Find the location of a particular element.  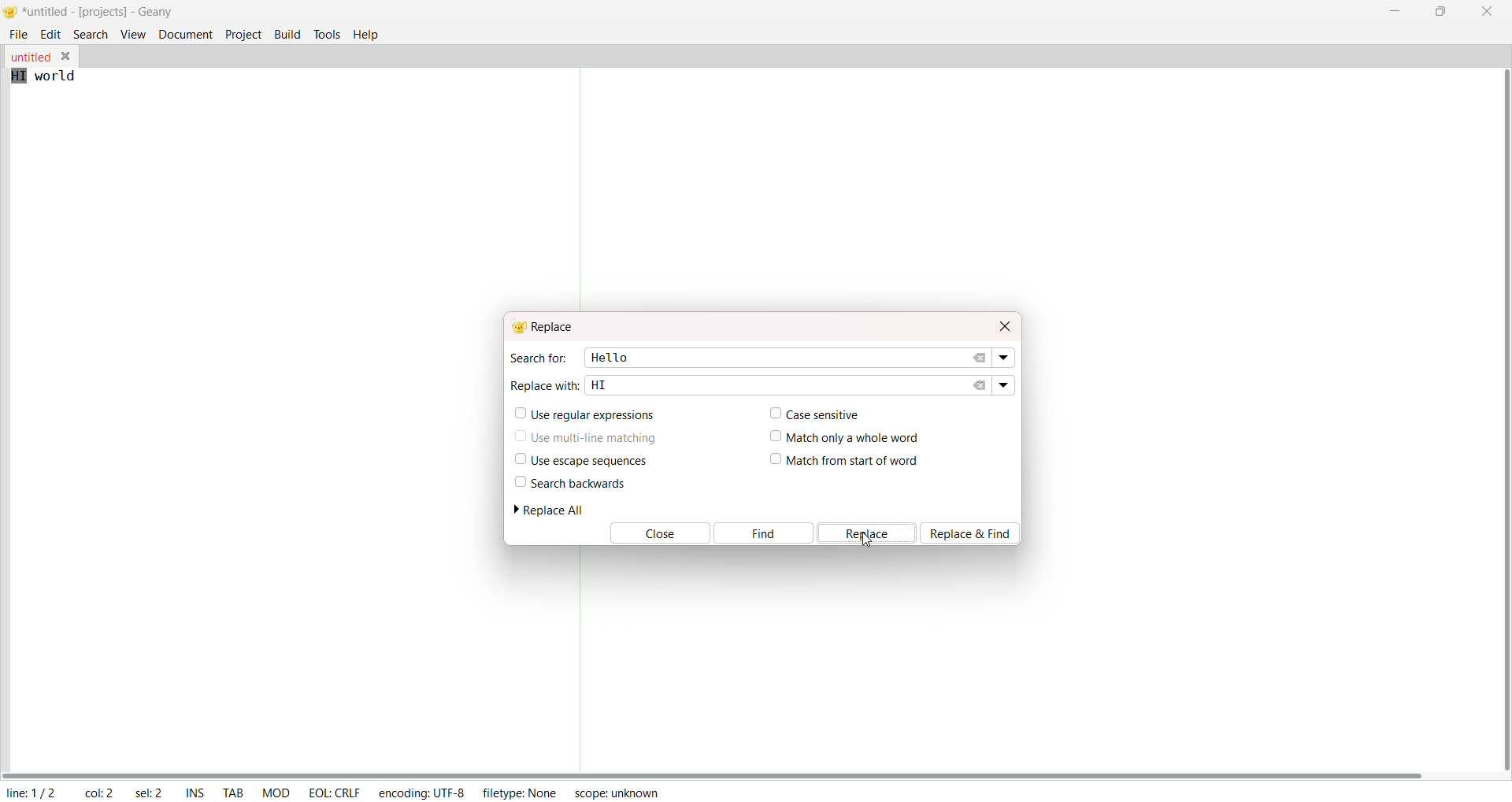

close dialog is located at coordinates (1002, 324).